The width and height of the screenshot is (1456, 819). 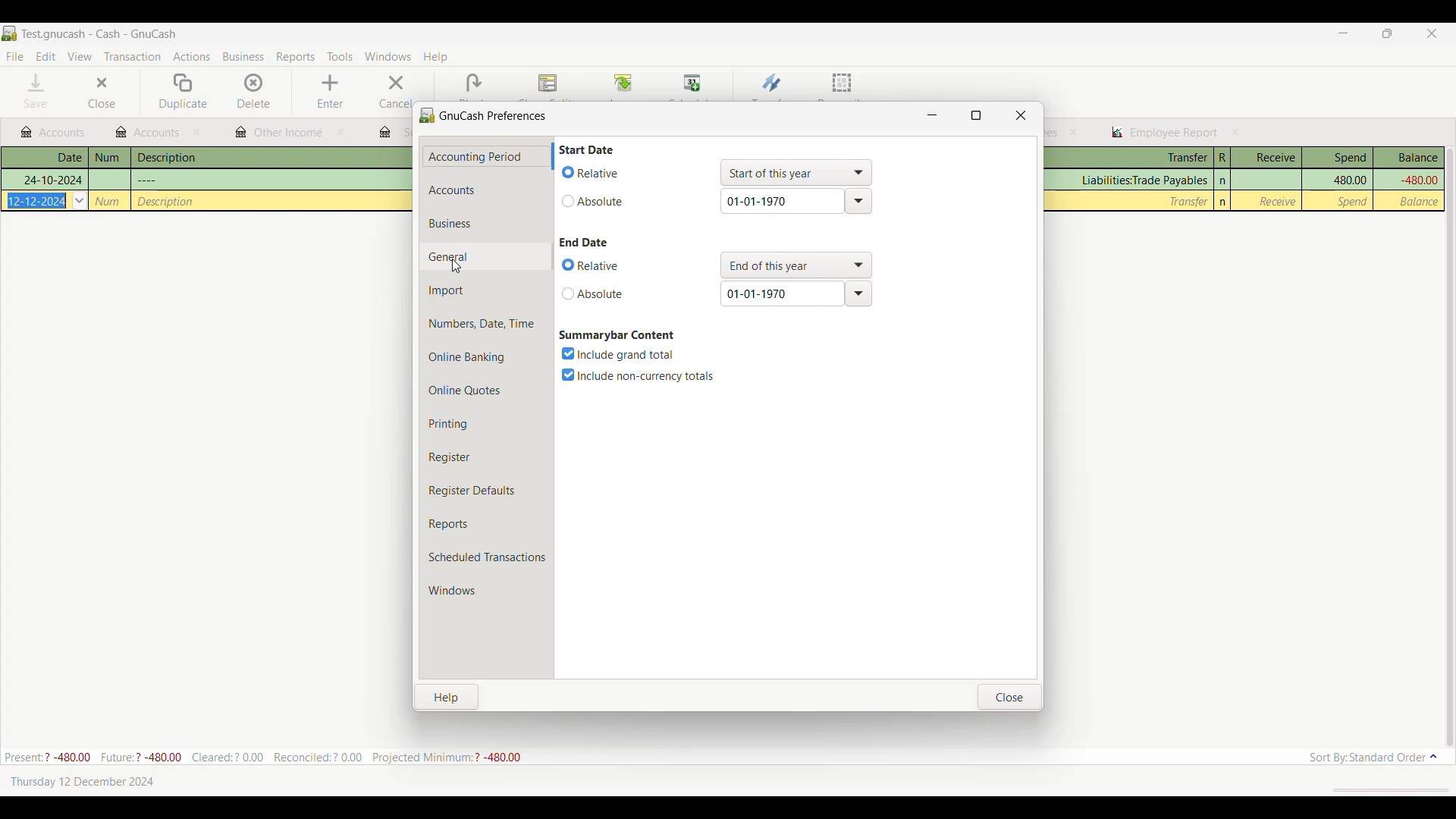 What do you see at coordinates (487, 557) in the screenshot?
I see `Scheduled transactions` at bounding box center [487, 557].